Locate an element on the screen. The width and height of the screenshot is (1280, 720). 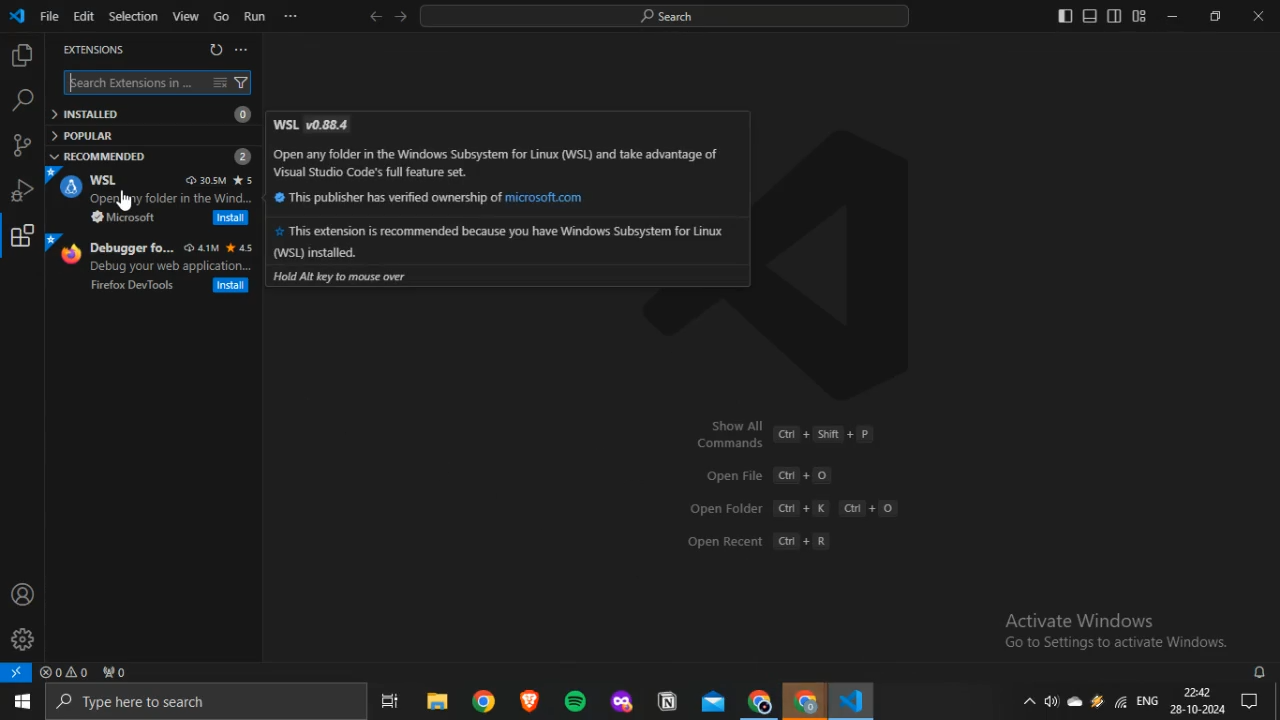
WSL is located at coordinates (104, 180).